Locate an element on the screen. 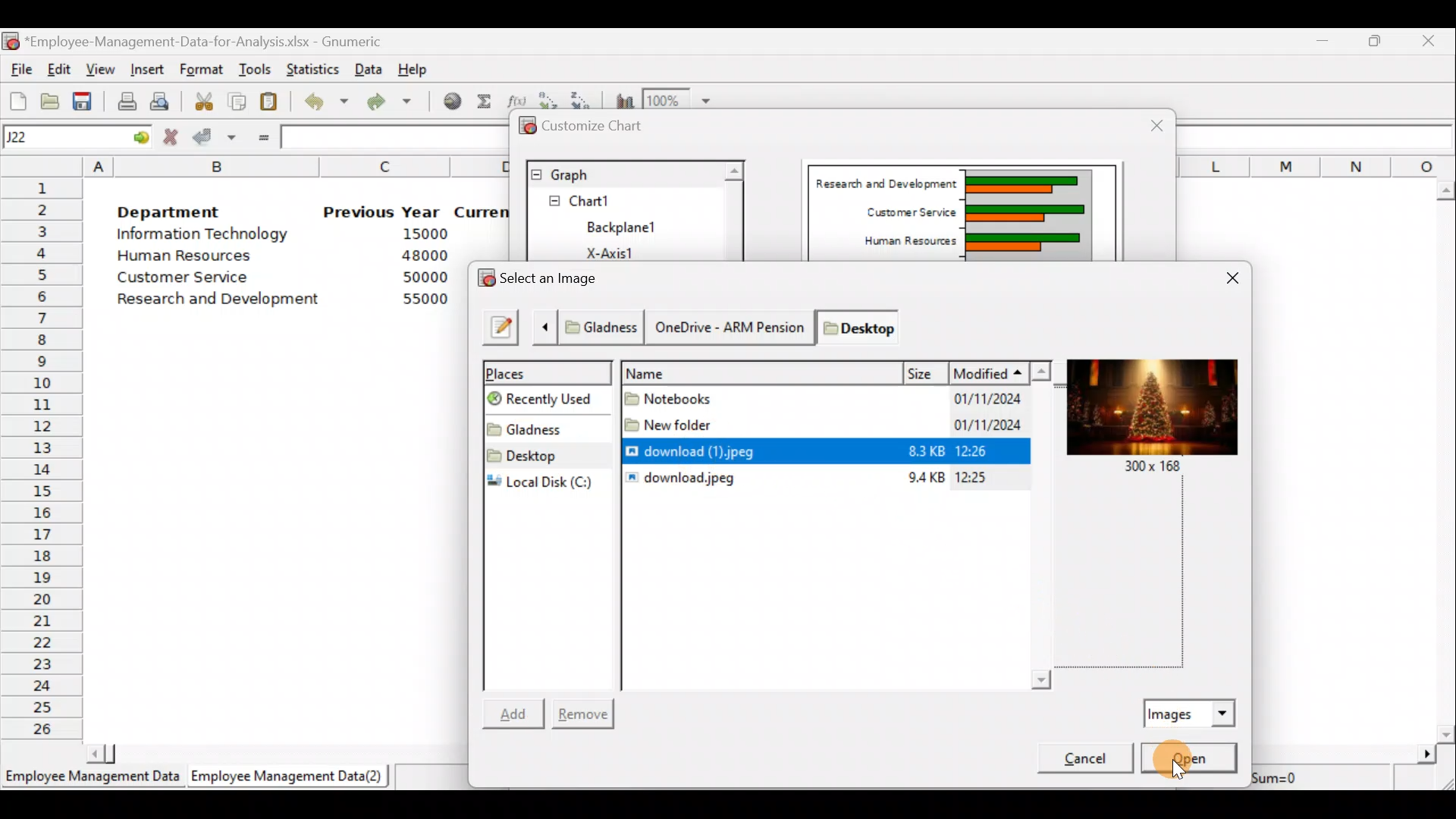 This screenshot has width=1456, height=819. Enter formula is located at coordinates (261, 138).